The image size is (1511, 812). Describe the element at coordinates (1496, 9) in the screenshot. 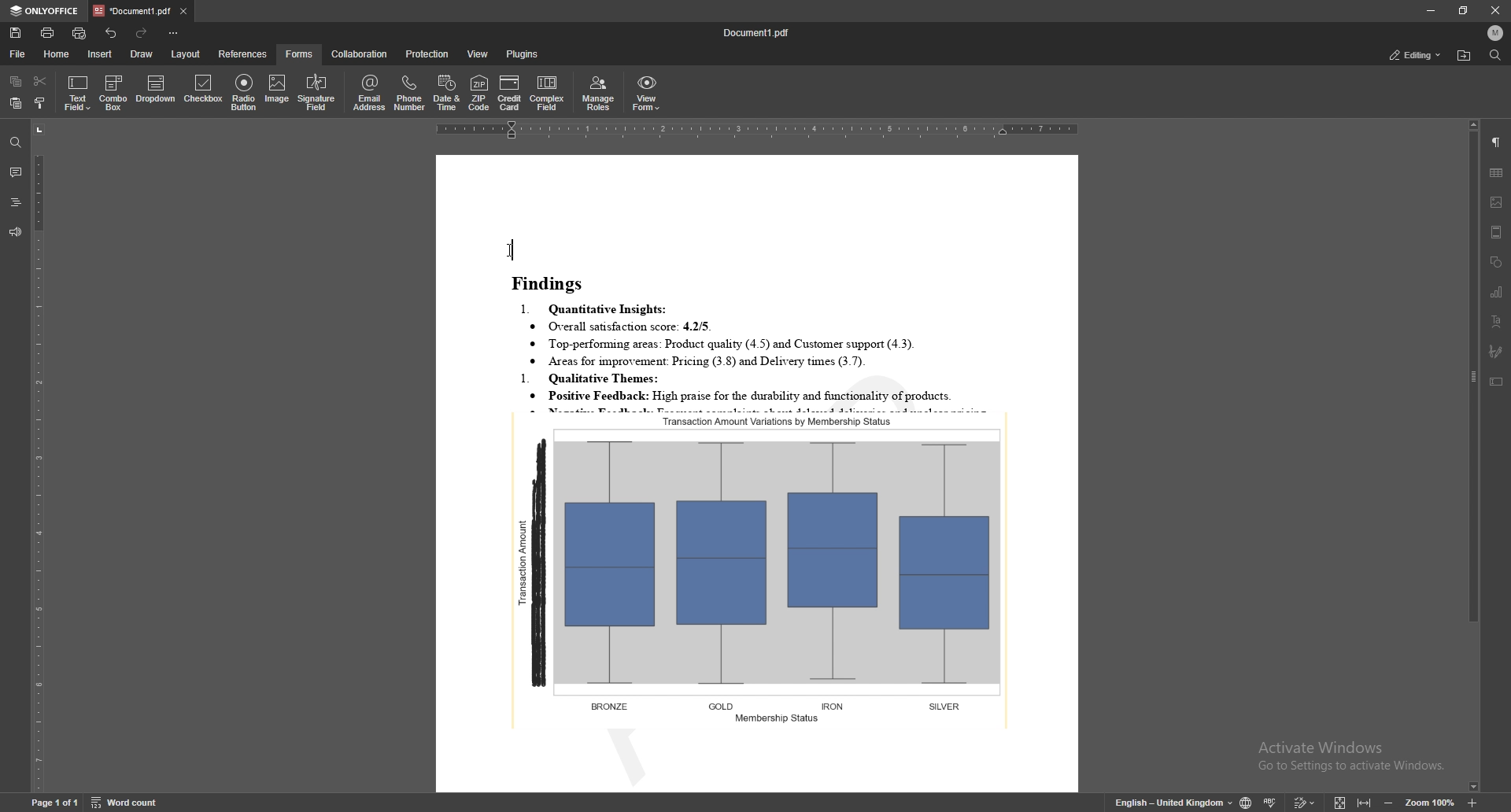

I see `cross` at that location.